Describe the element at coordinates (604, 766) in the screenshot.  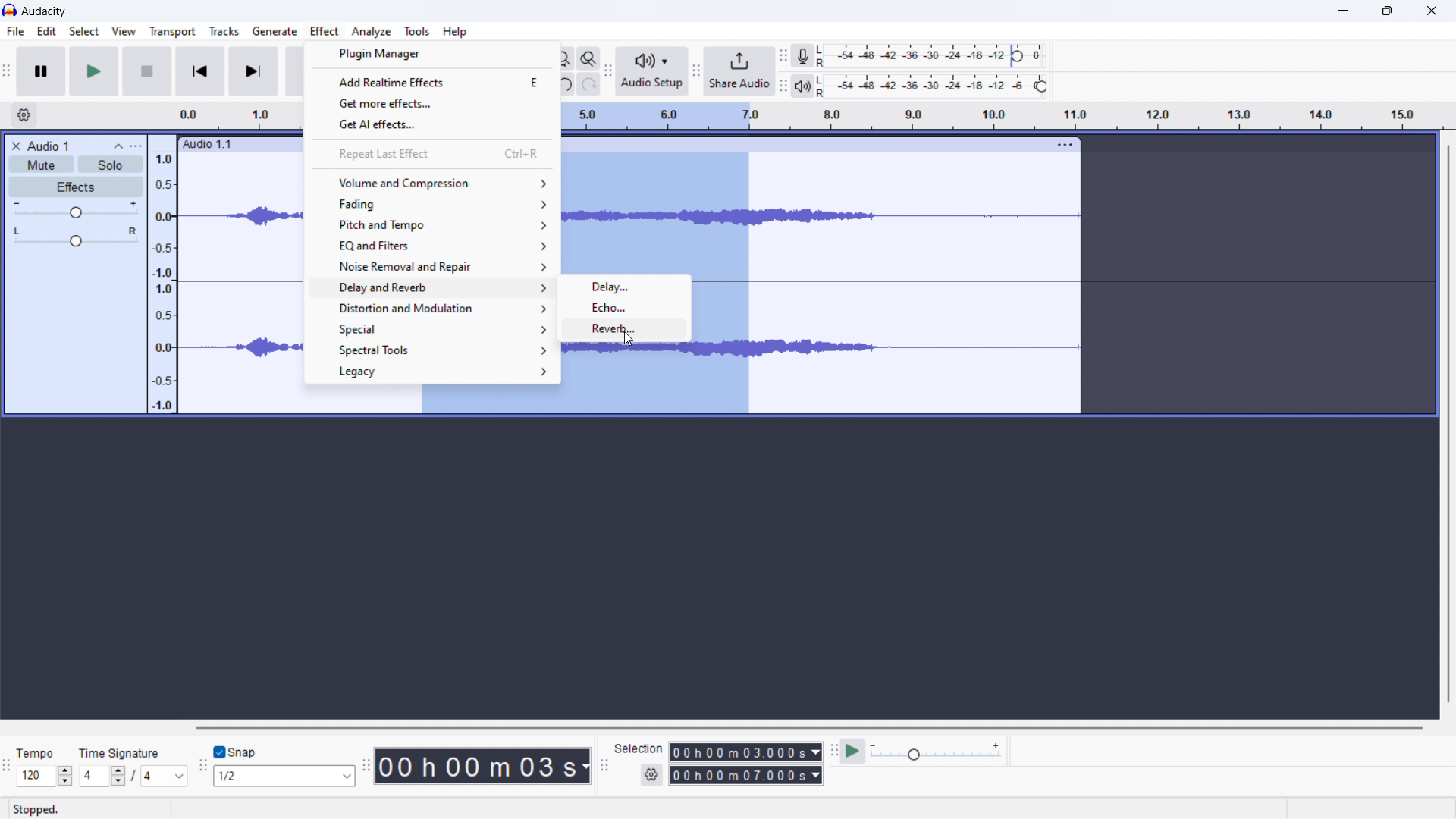
I see `selection toolbar` at that location.